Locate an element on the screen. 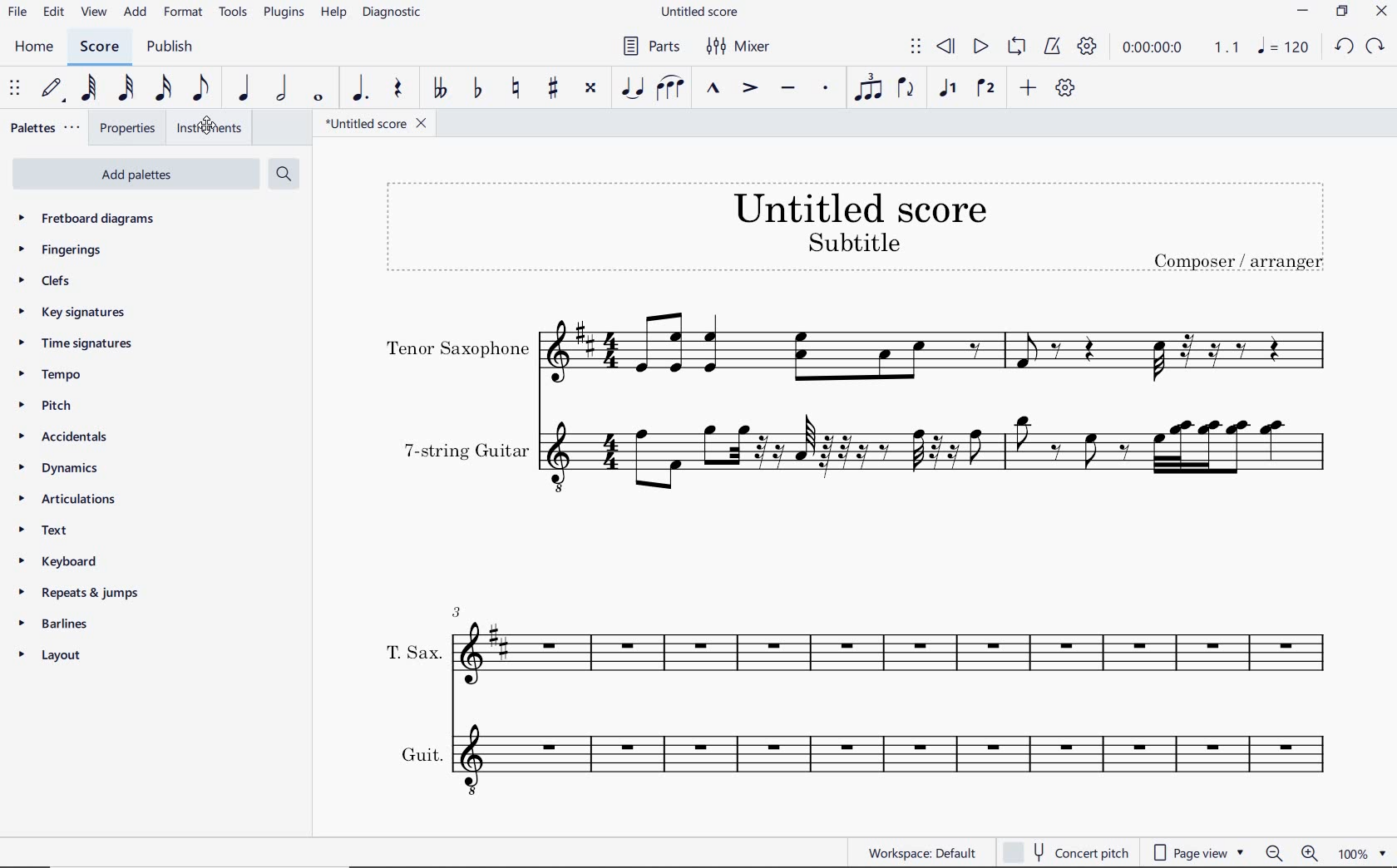 The height and width of the screenshot is (868, 1397). FILE NAME is located at coordinates (370, 126).